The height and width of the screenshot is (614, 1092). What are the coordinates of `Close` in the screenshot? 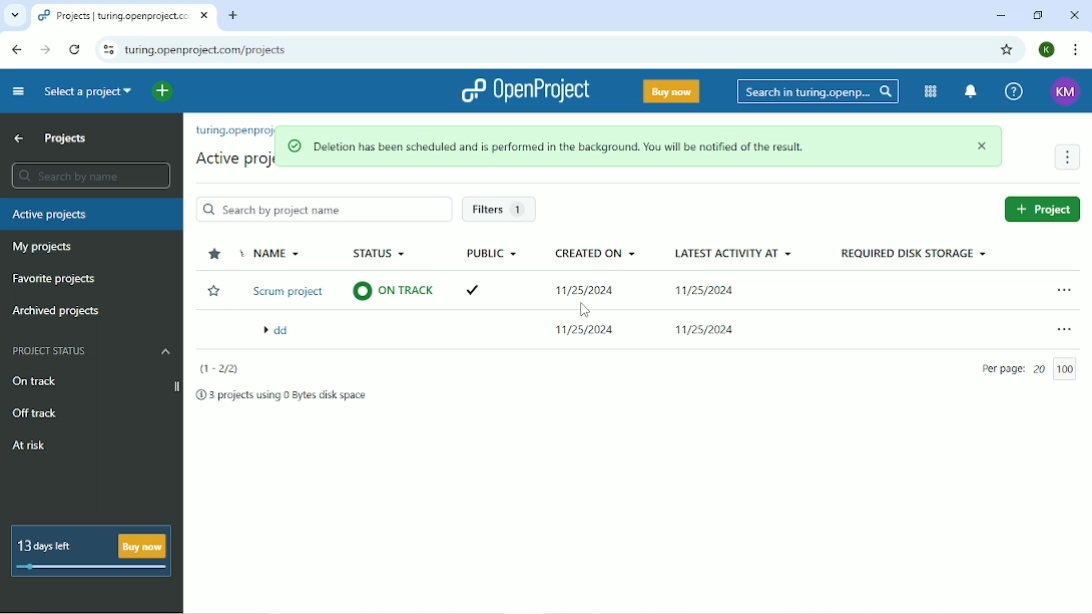 It's located at (1076, 16).